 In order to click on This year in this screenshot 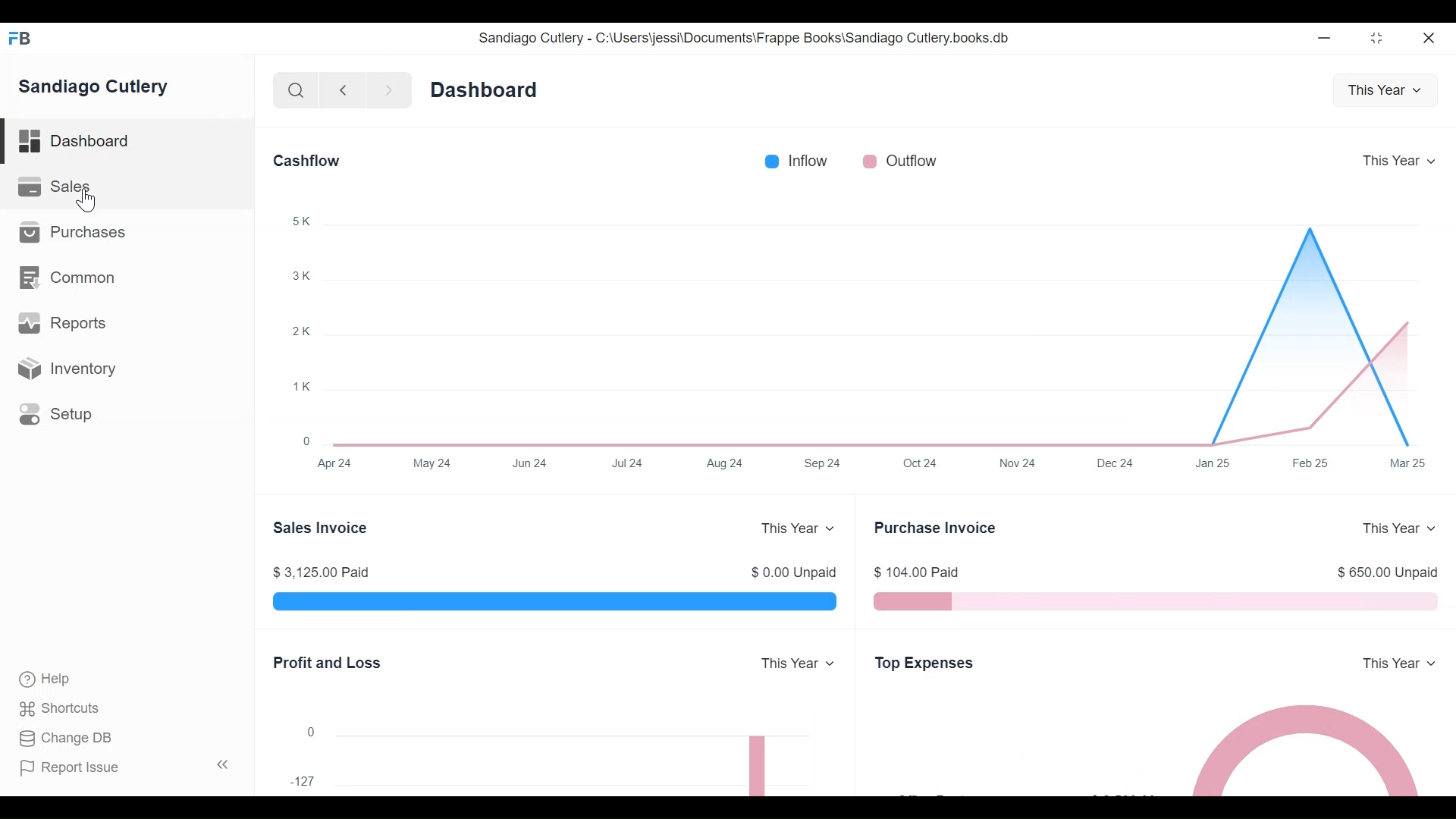, I will do `click(1398, 662)`.